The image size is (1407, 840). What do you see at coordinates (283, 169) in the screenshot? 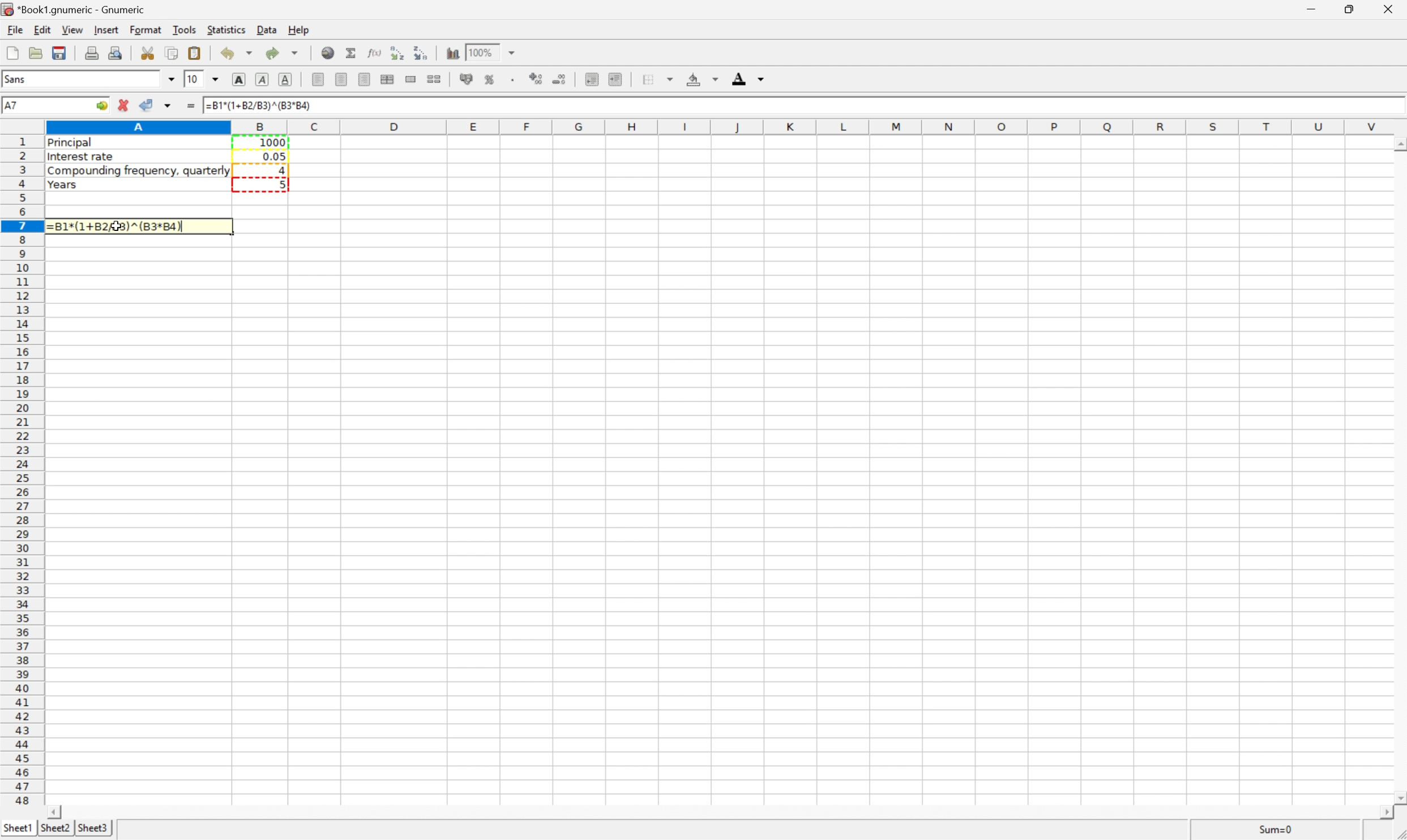
I see `4` at bounding box center [283, 169].